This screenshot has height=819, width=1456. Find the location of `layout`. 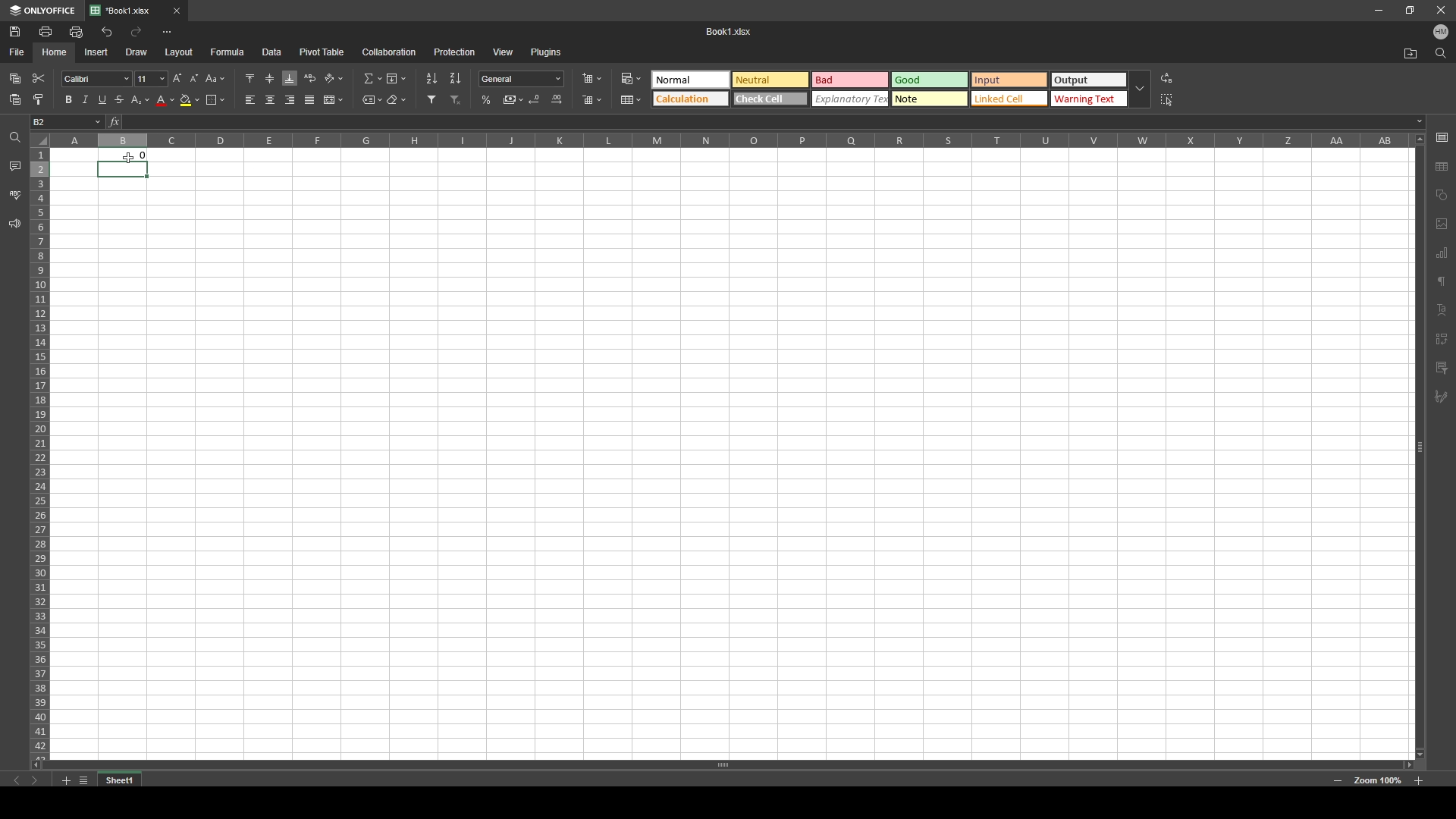

layout is located at coordinates (180, 53).